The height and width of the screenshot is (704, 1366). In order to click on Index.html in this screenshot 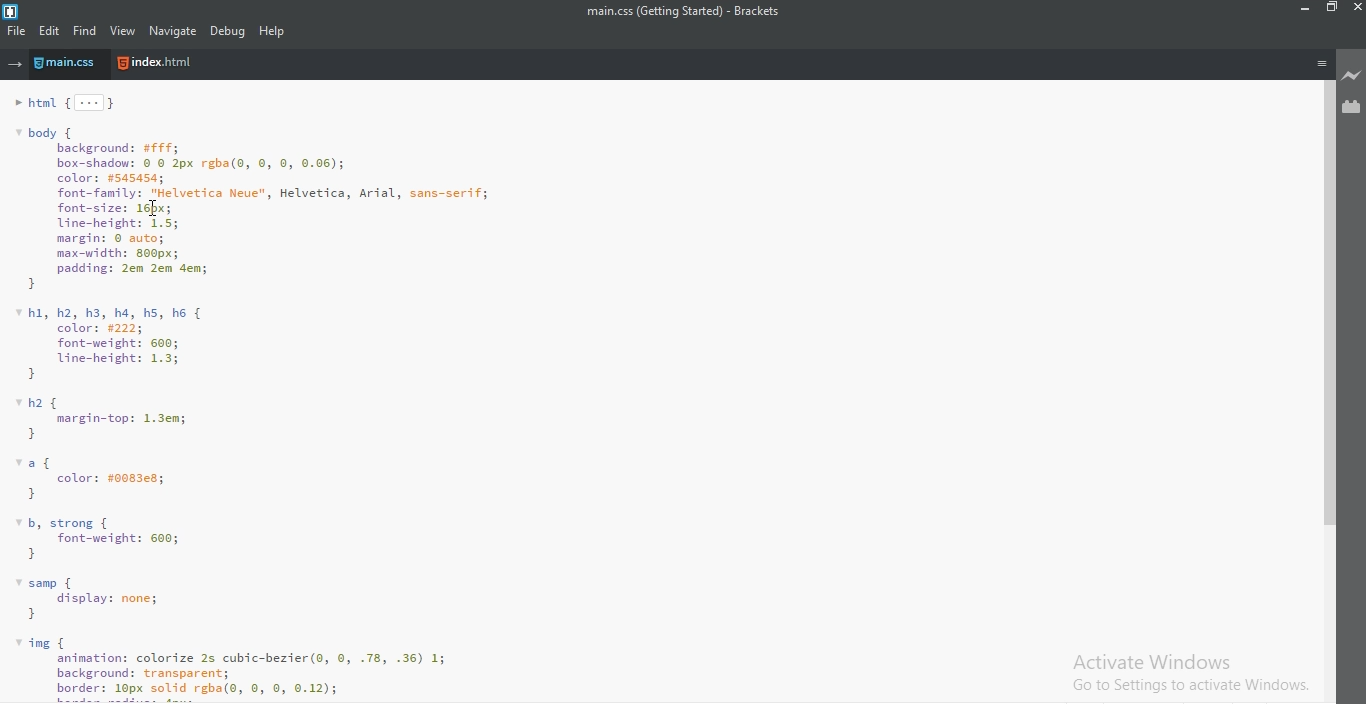, I will do `click(154, 62)`.